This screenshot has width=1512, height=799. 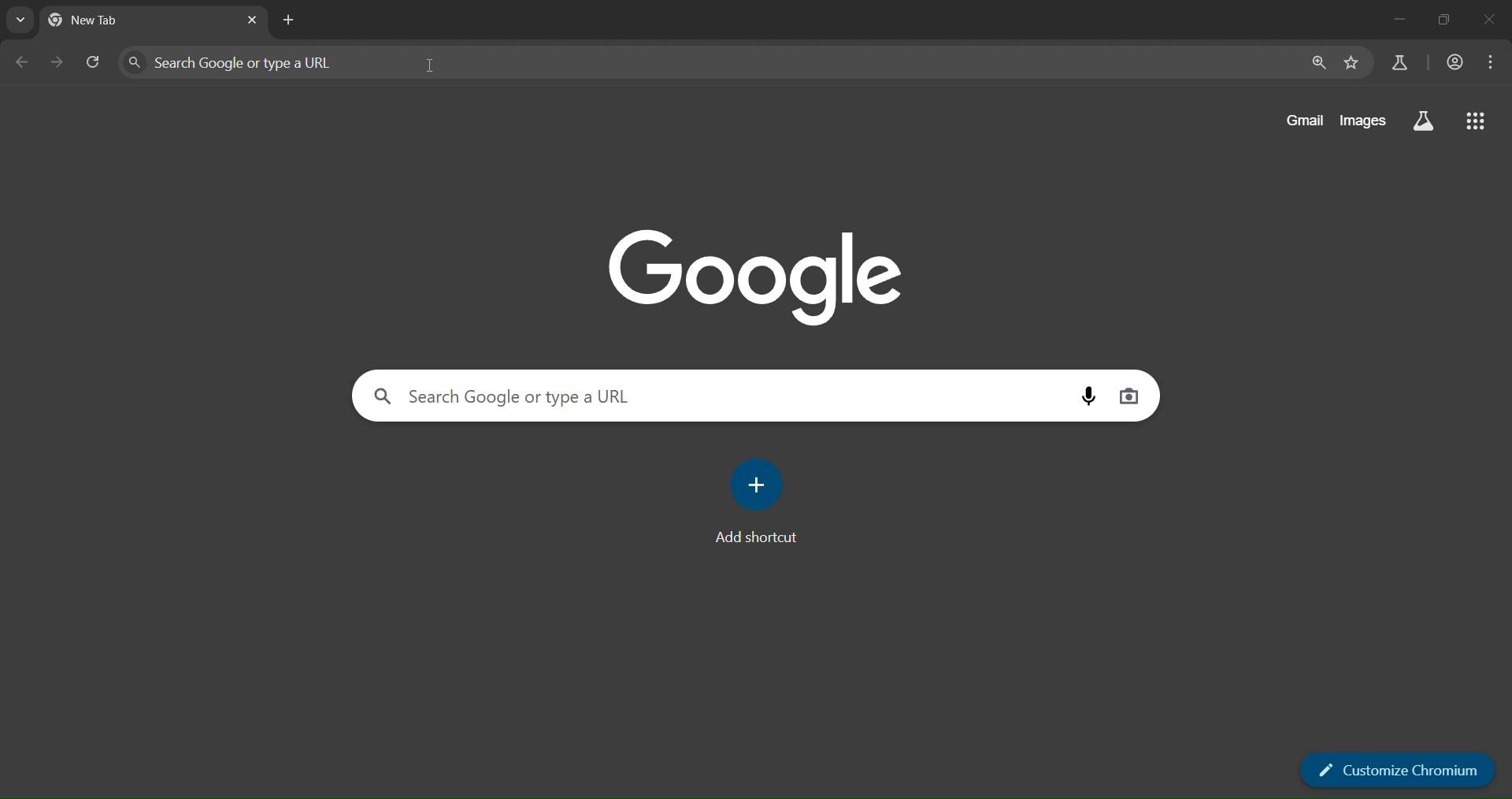 What do you see at coordinates (230, 62) in the screenshot?
I see `Search Google or type a URL` at bounding box center [230, 62].